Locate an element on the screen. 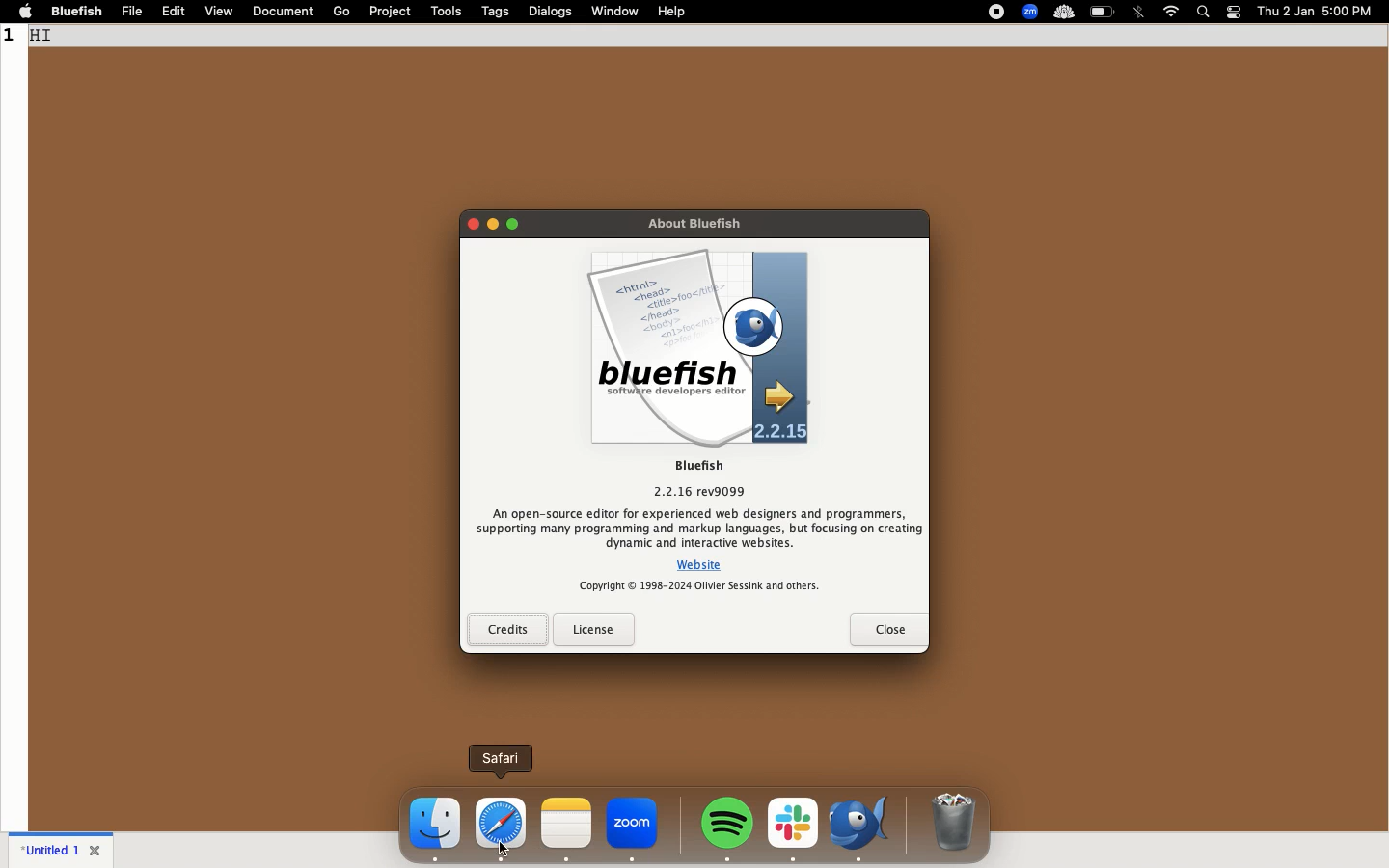 The image size is (1389, 868). An open-source editor for experienced web designers and programmers,
supporting many programming and markup languages, but focusing on creating
dynamic and interactive websites. is located at coordinates (698, 528).